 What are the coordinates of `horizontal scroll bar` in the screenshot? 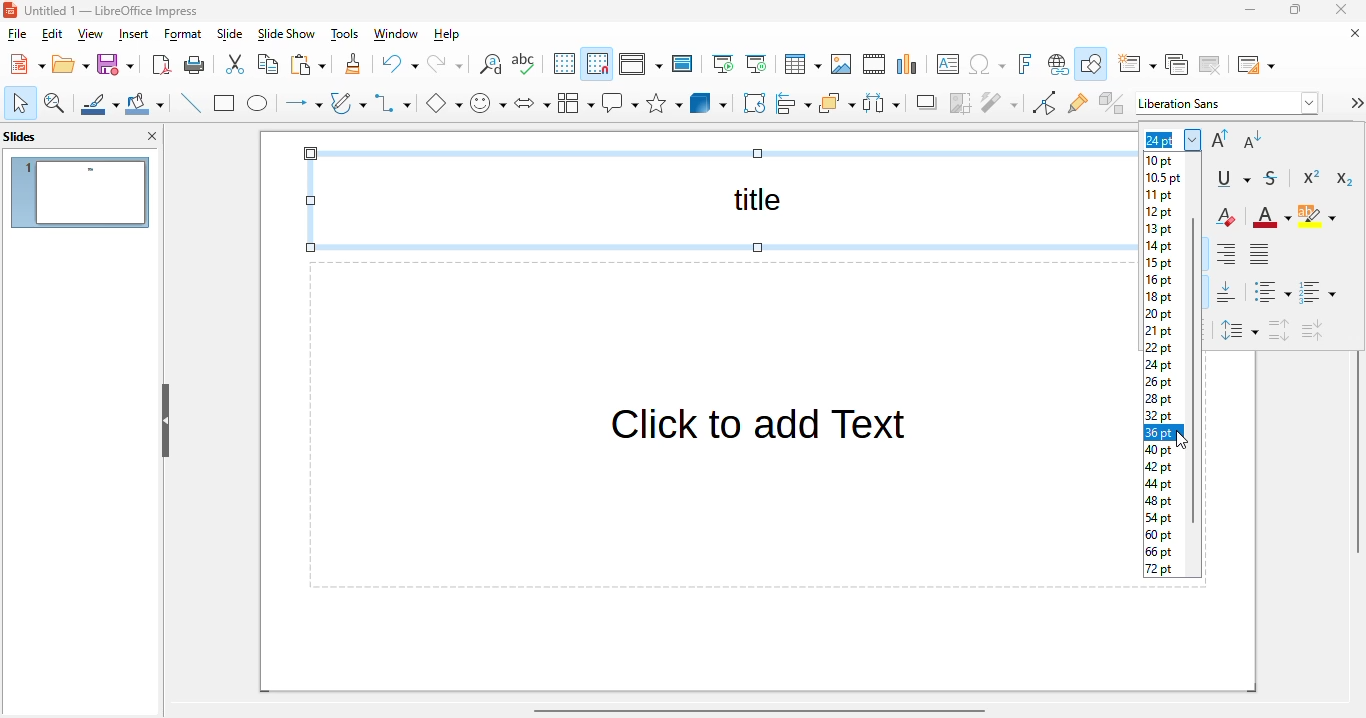 It's located at (759, 711).